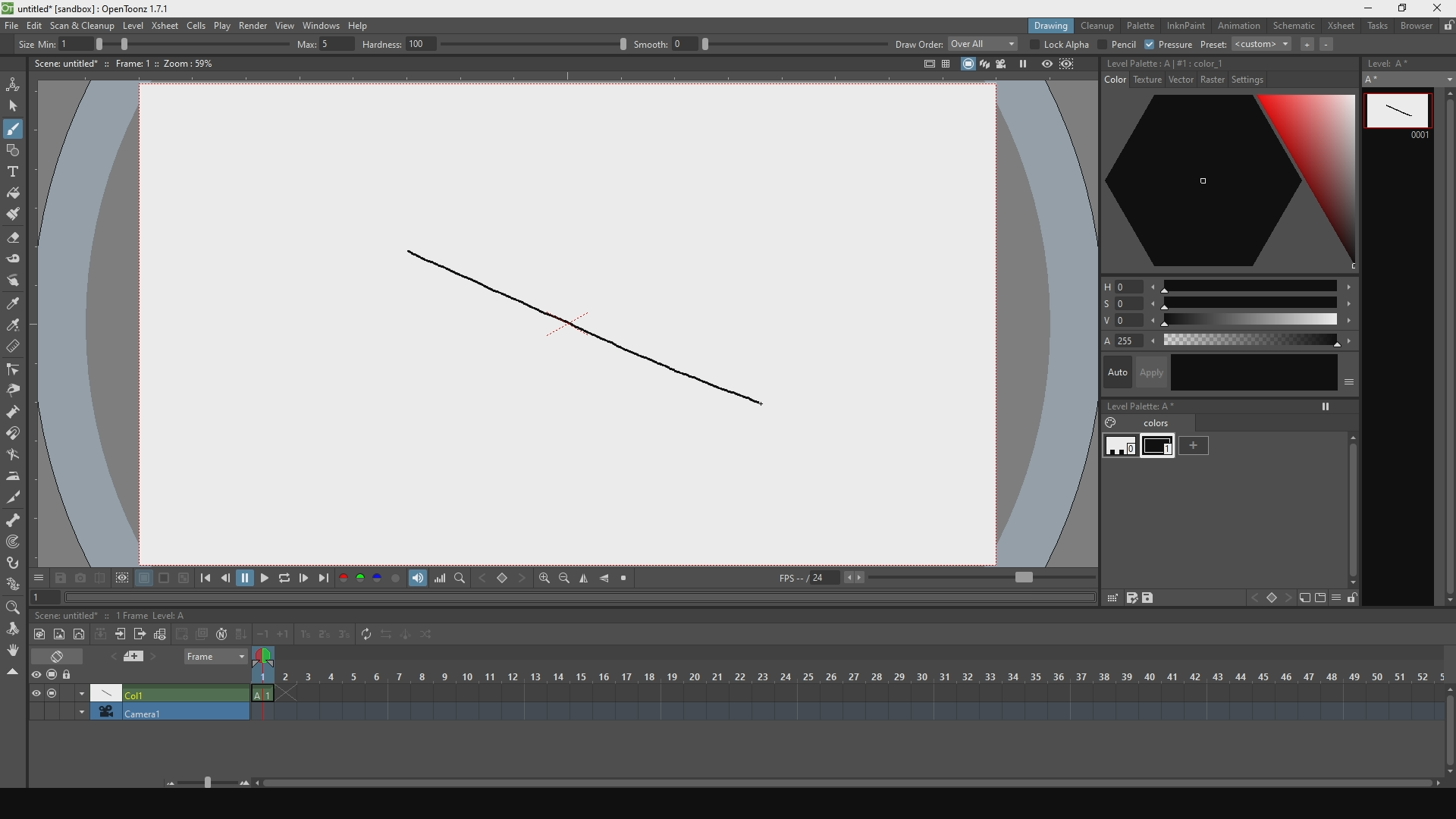  What do you see at coordinates (38, 674) in the screenshot?
I see `preview` at bounding box center [38, 674].